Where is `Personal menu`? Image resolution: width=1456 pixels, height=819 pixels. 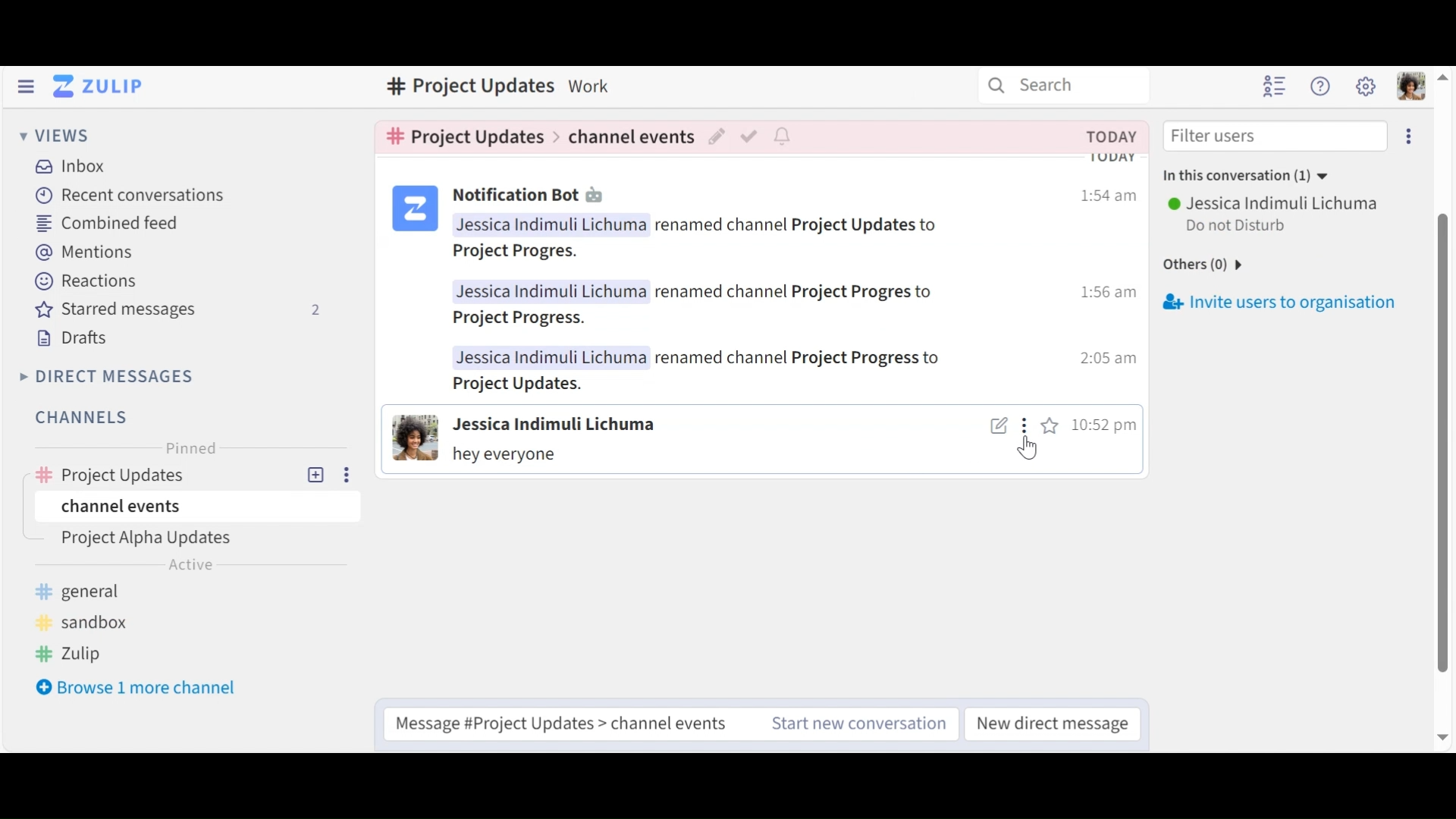 Personal menu is located at coordinates (1410, 88).